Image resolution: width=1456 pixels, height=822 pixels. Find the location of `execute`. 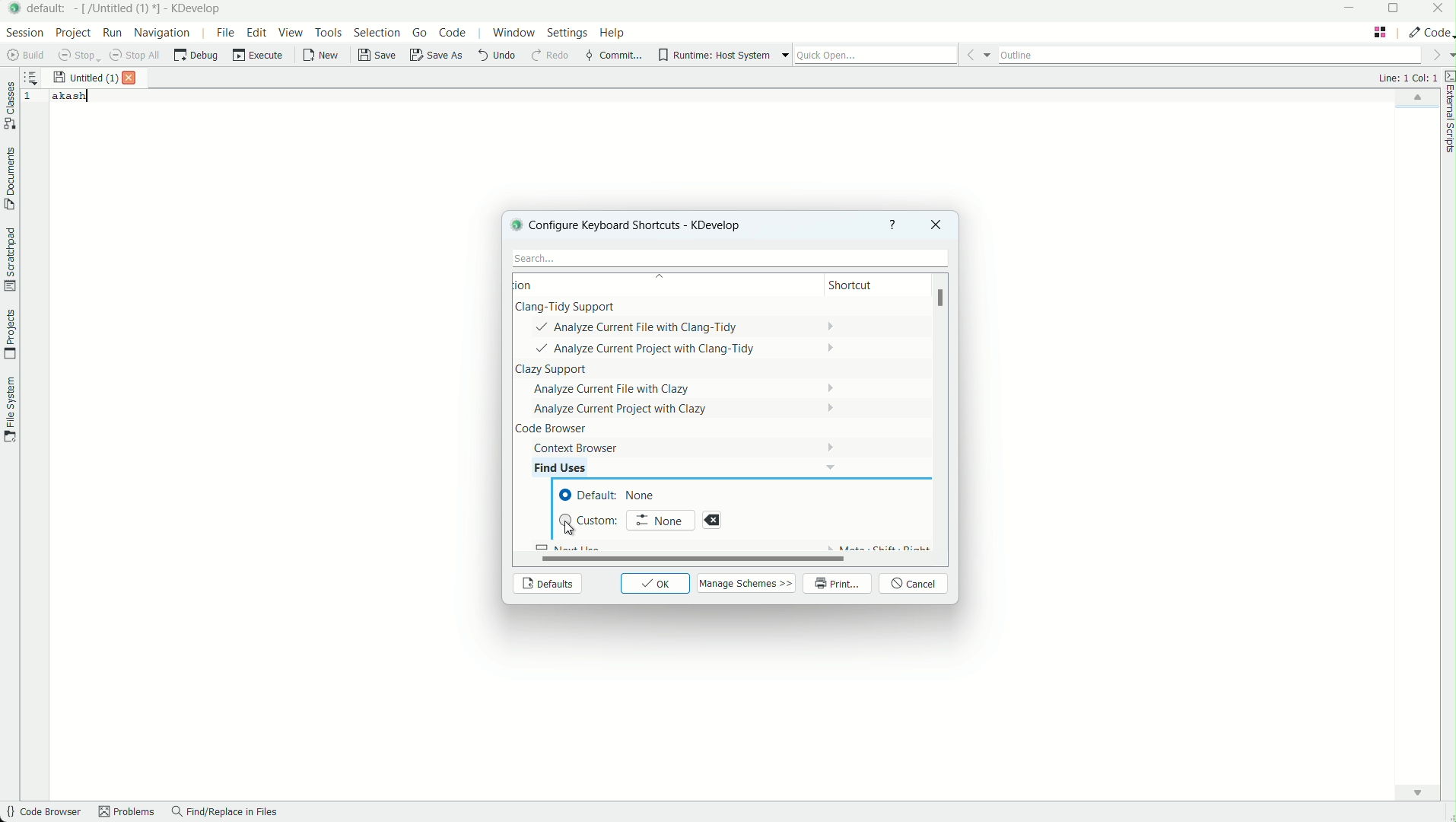

execute is located at coordinates (259, 56).